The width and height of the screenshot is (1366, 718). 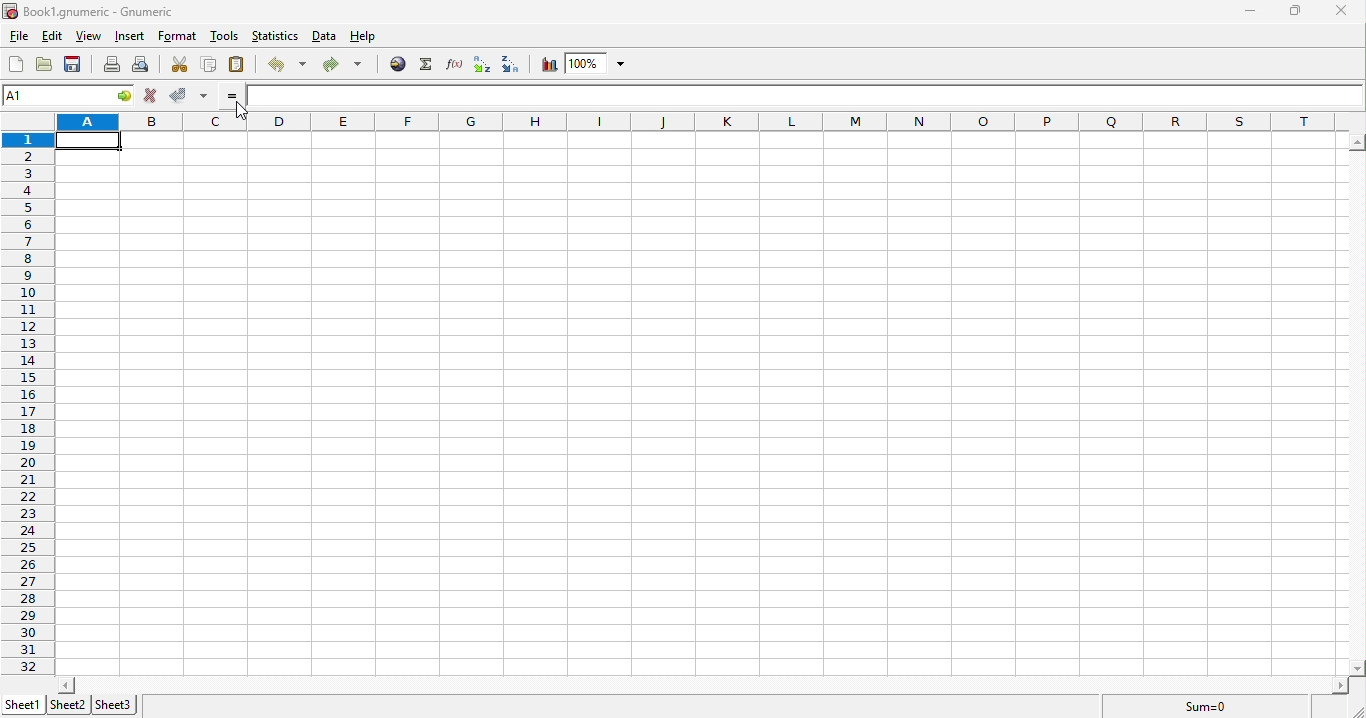 I want to click on data, so click(x=325, y=36).